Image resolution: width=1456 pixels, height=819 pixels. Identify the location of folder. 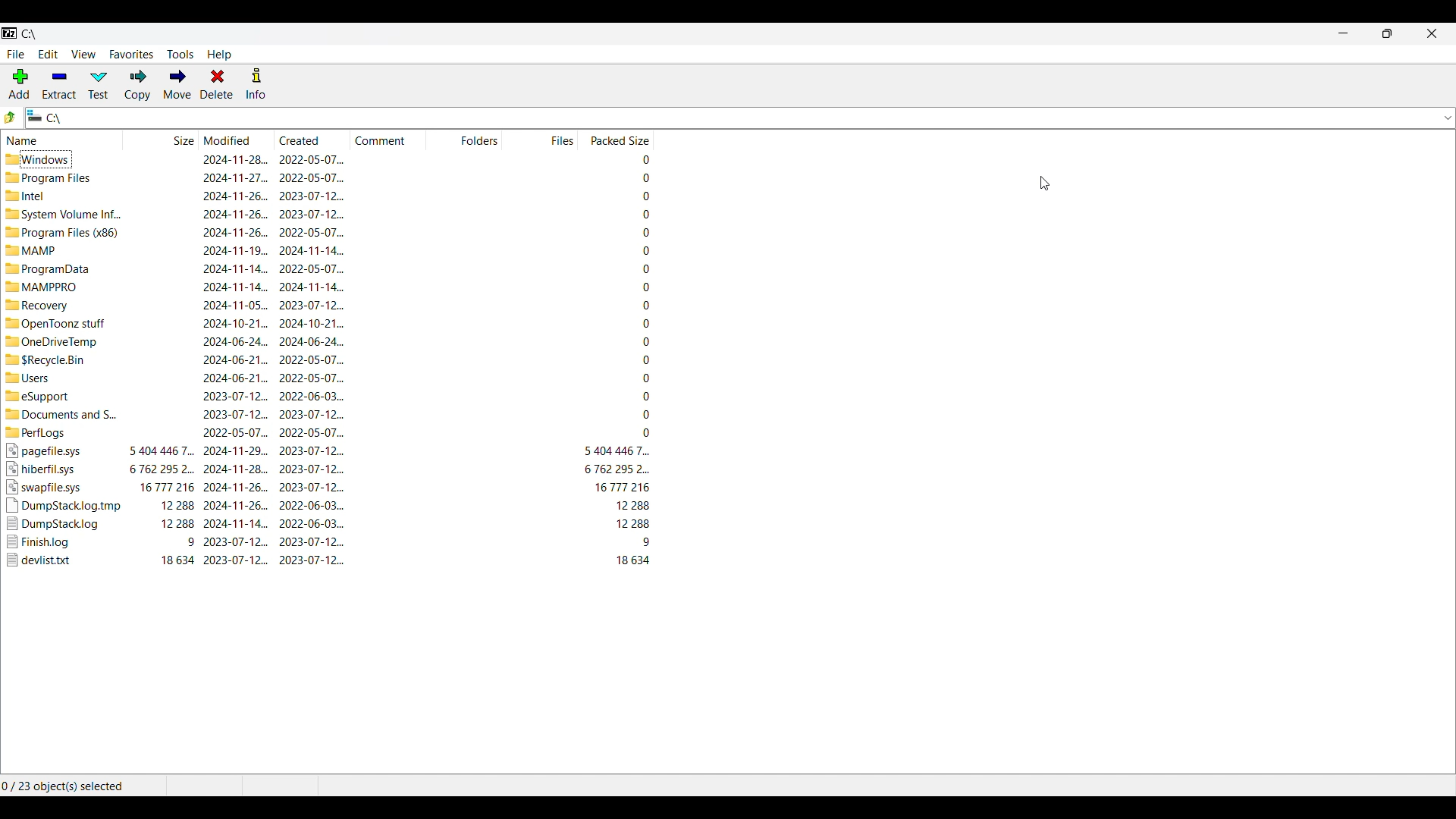
(56, 324).